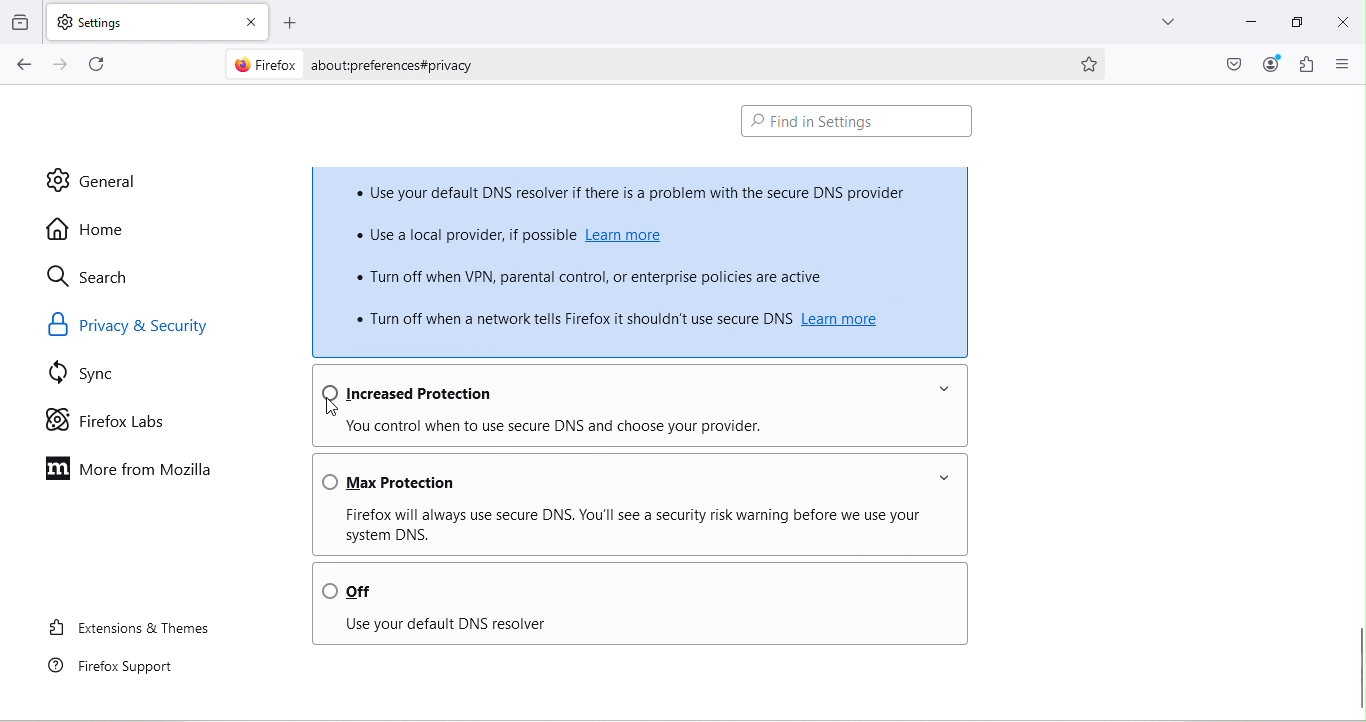  Describe the element at coordinates (136, 323) in the screenshot. I see `Privacy & security` at that location.